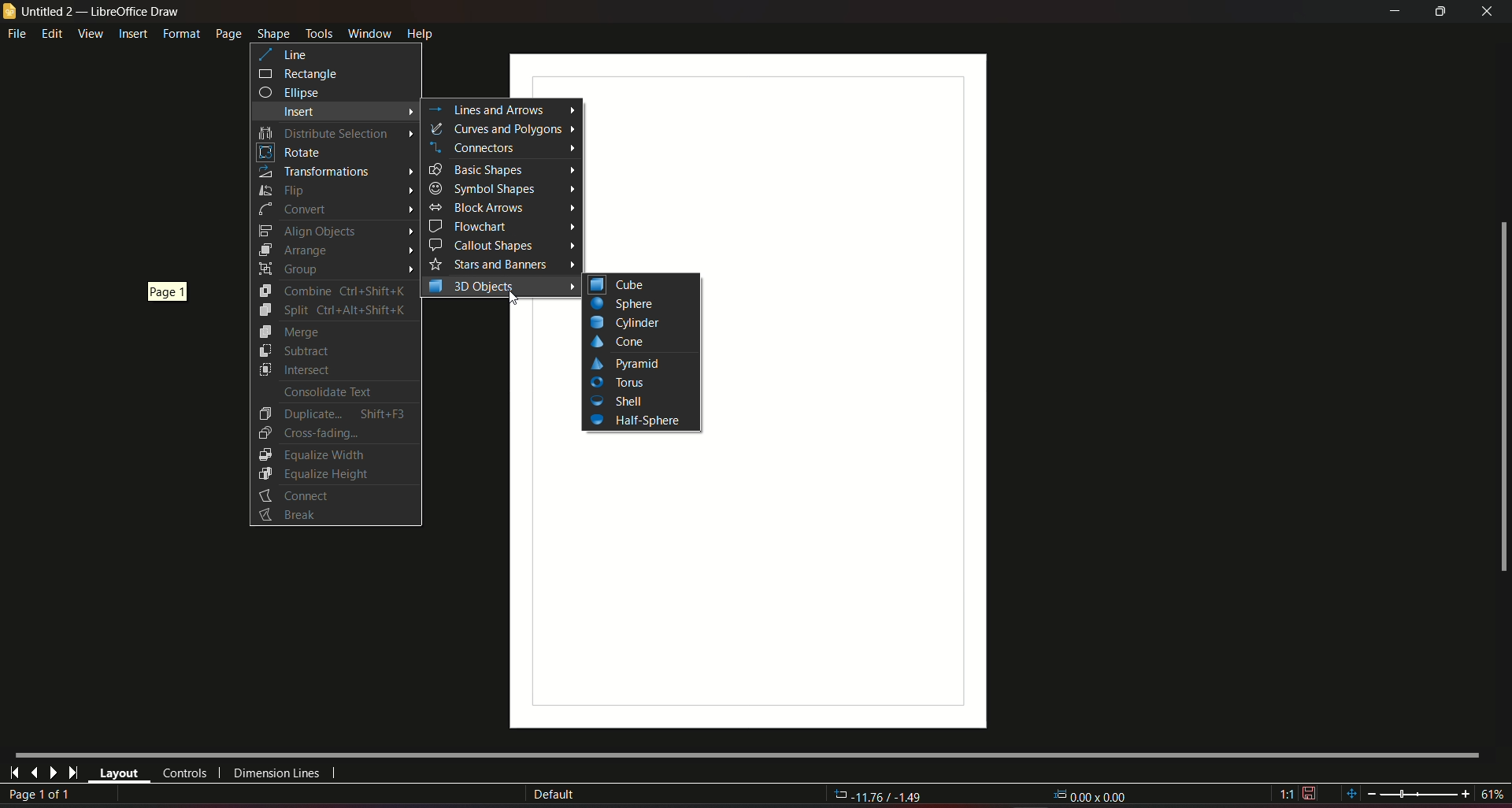  I want to click on Intersect, so click(296, 369).